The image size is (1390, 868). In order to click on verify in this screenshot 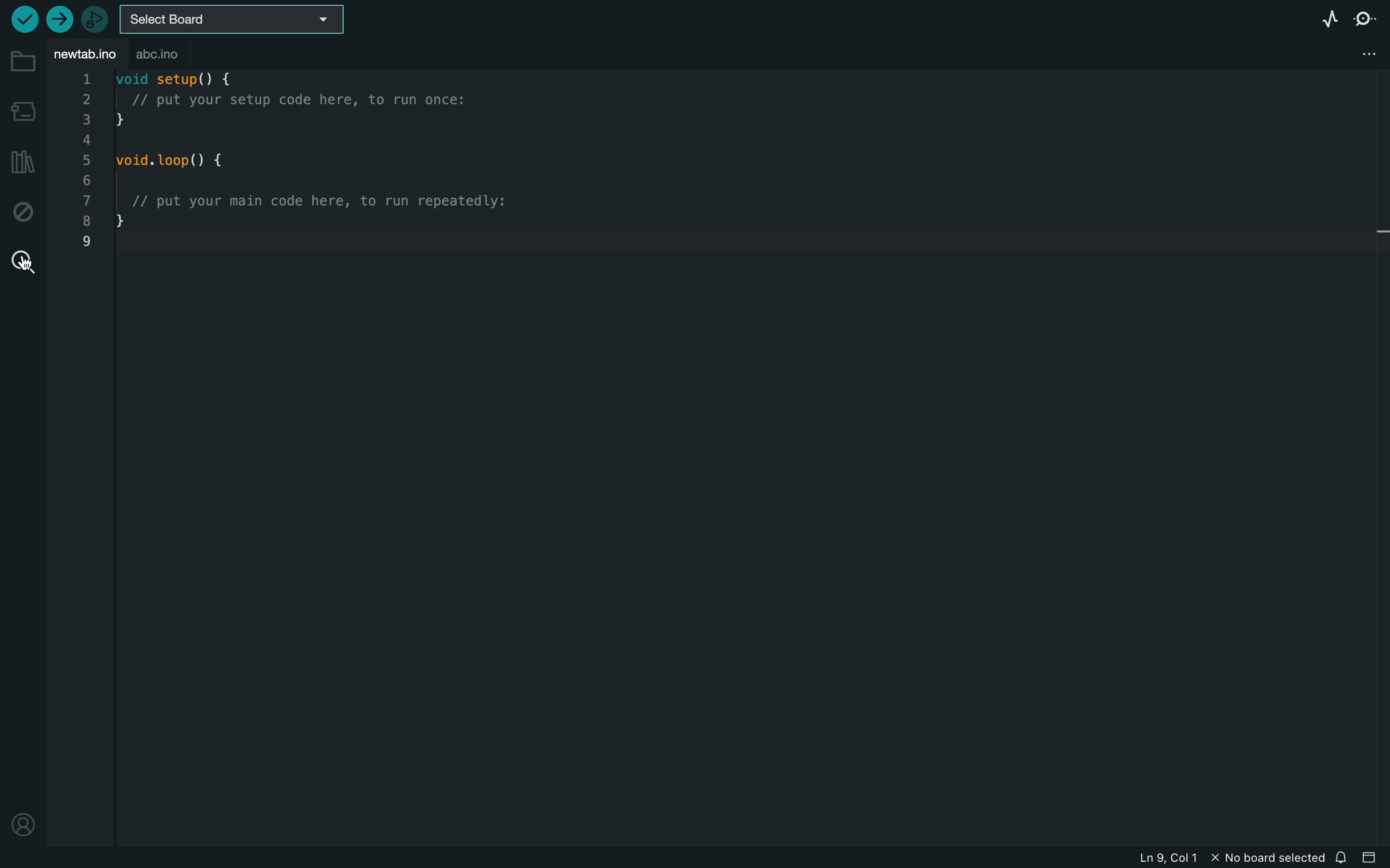, I will do `click(23, 20)`.